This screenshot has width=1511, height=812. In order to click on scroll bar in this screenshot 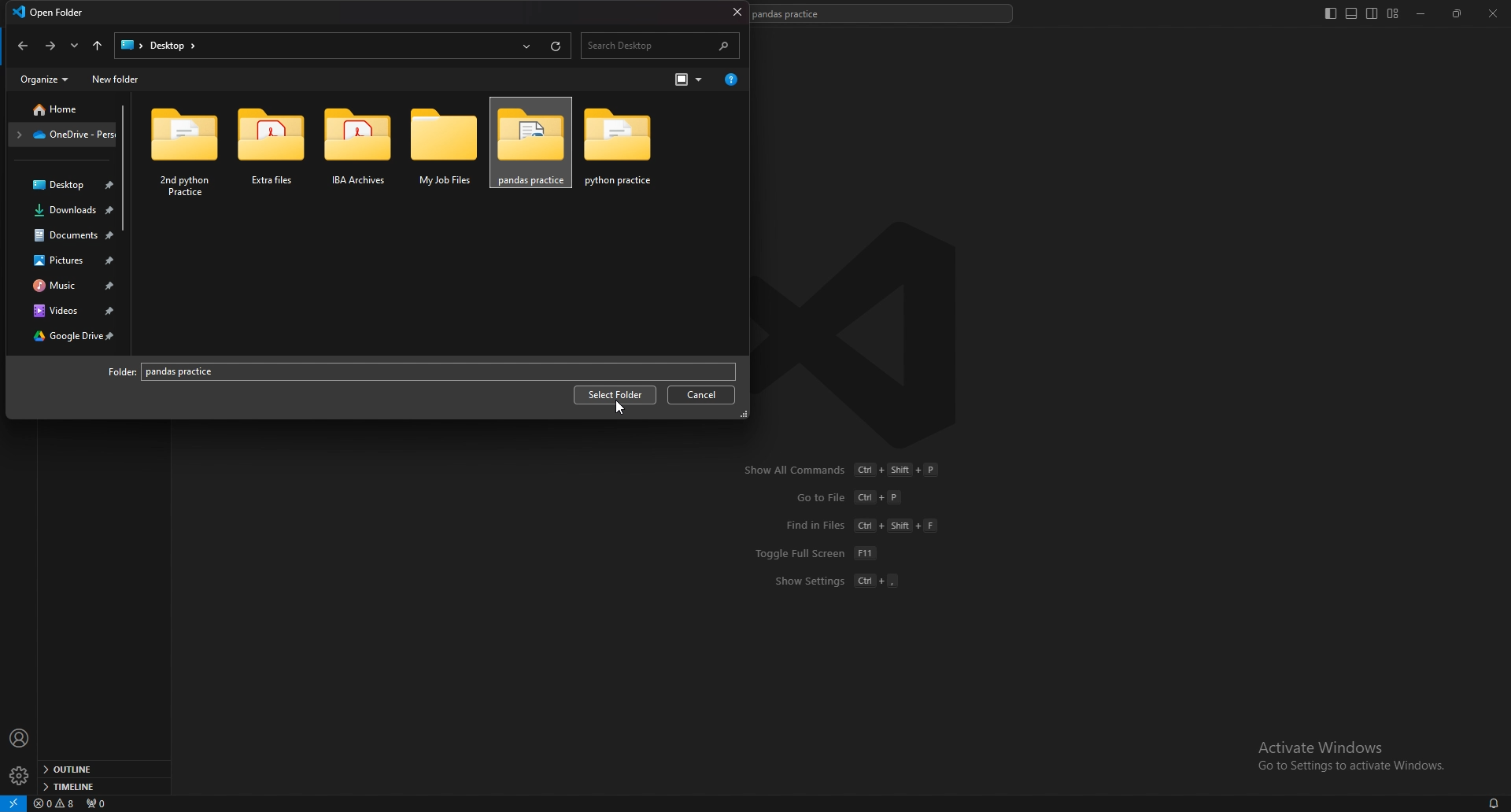, I will do `click(127, 168)`.